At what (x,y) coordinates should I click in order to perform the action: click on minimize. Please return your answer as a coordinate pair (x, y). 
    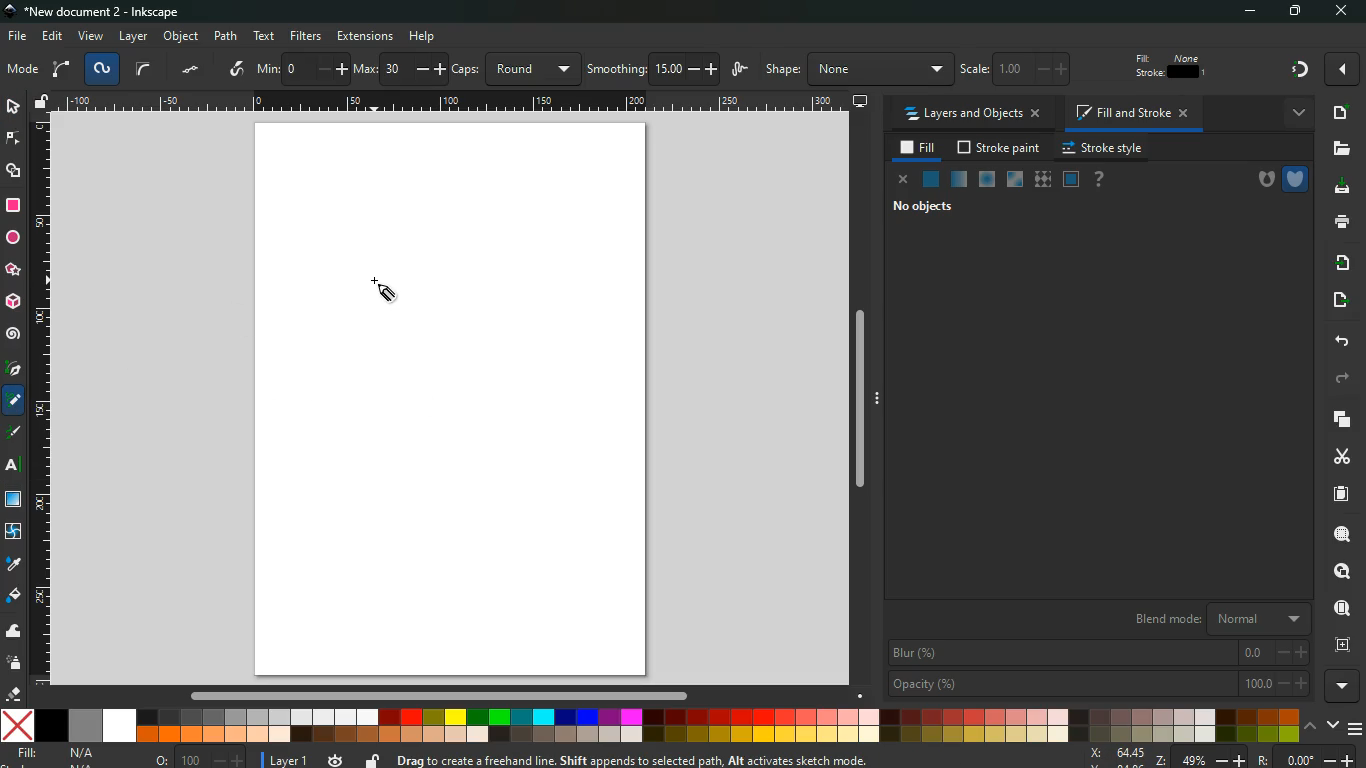
    Looking at the image, I should click on (1243, 12).